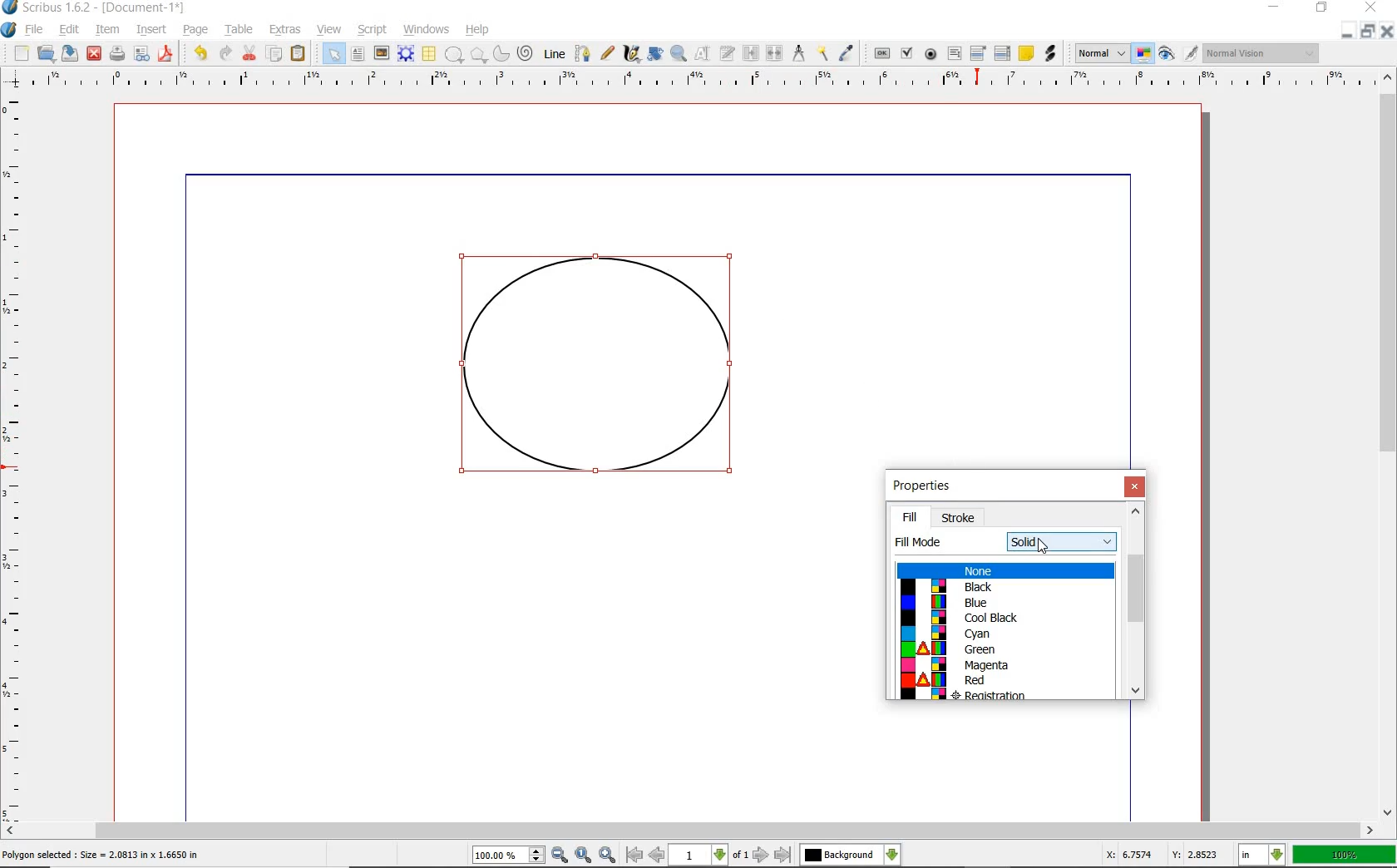  I want to click on shape tool, so click(1040, 544).